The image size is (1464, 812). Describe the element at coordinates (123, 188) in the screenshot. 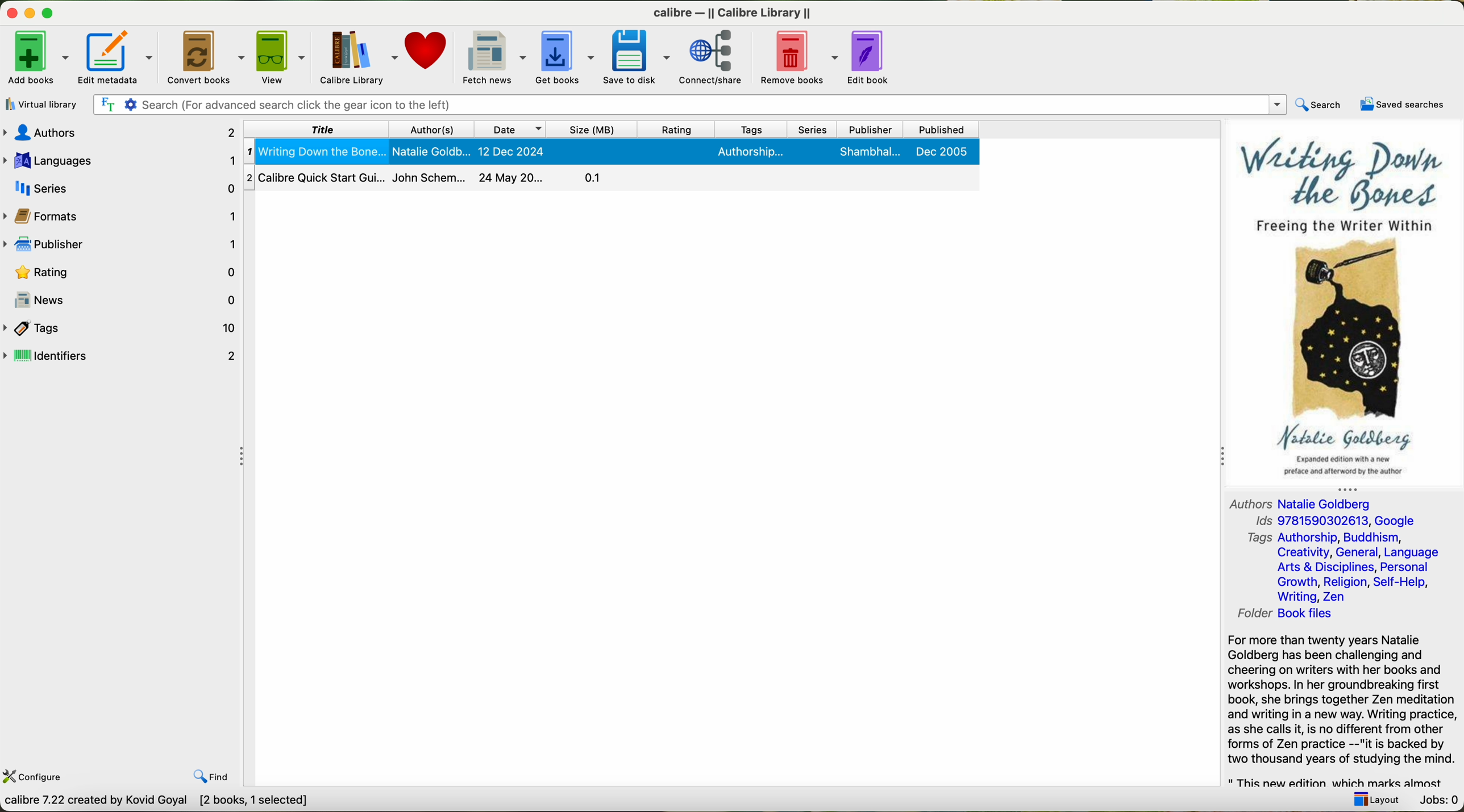

I see `series` at that location.